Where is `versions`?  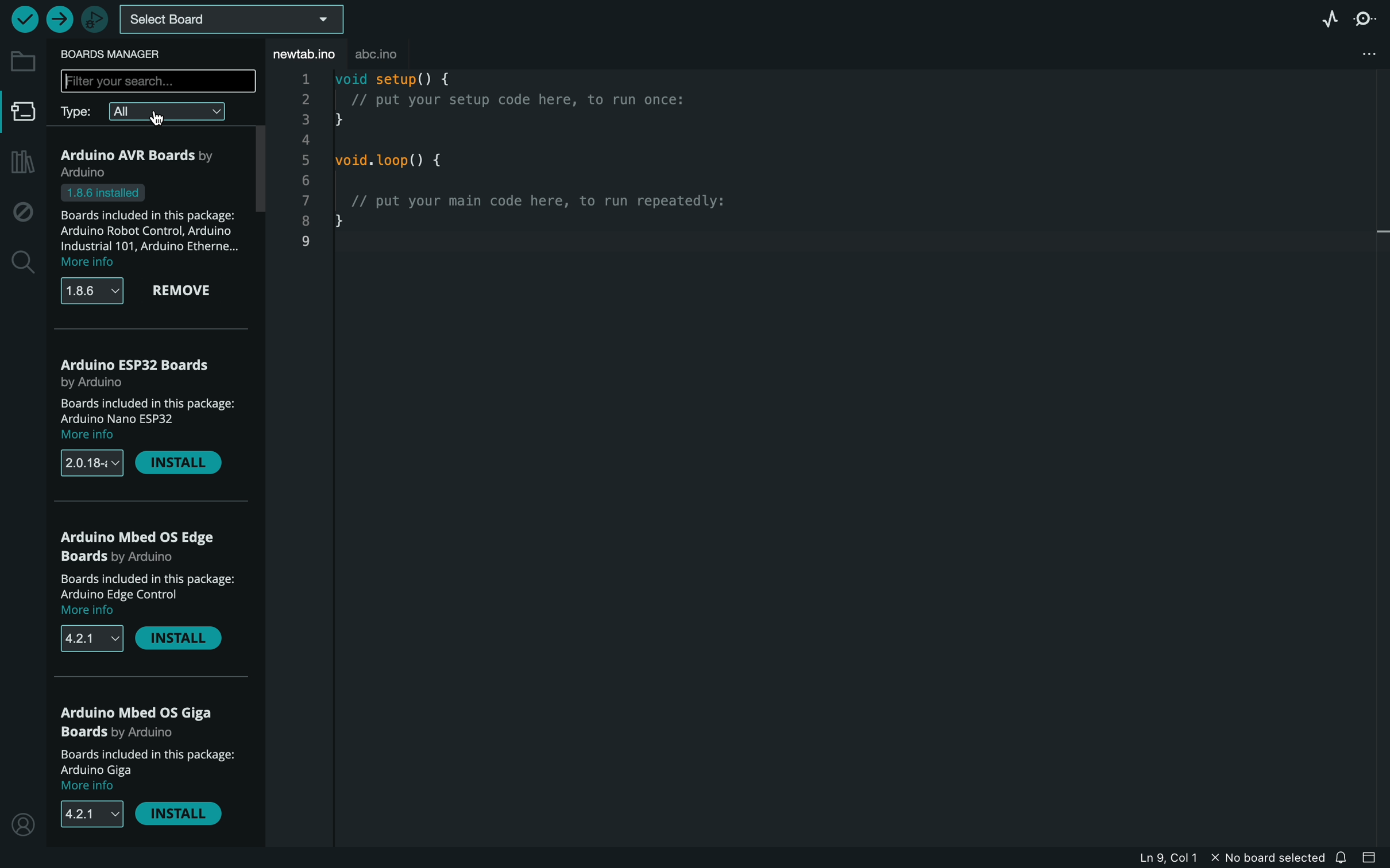
versions is located at coordinates (90, 814).